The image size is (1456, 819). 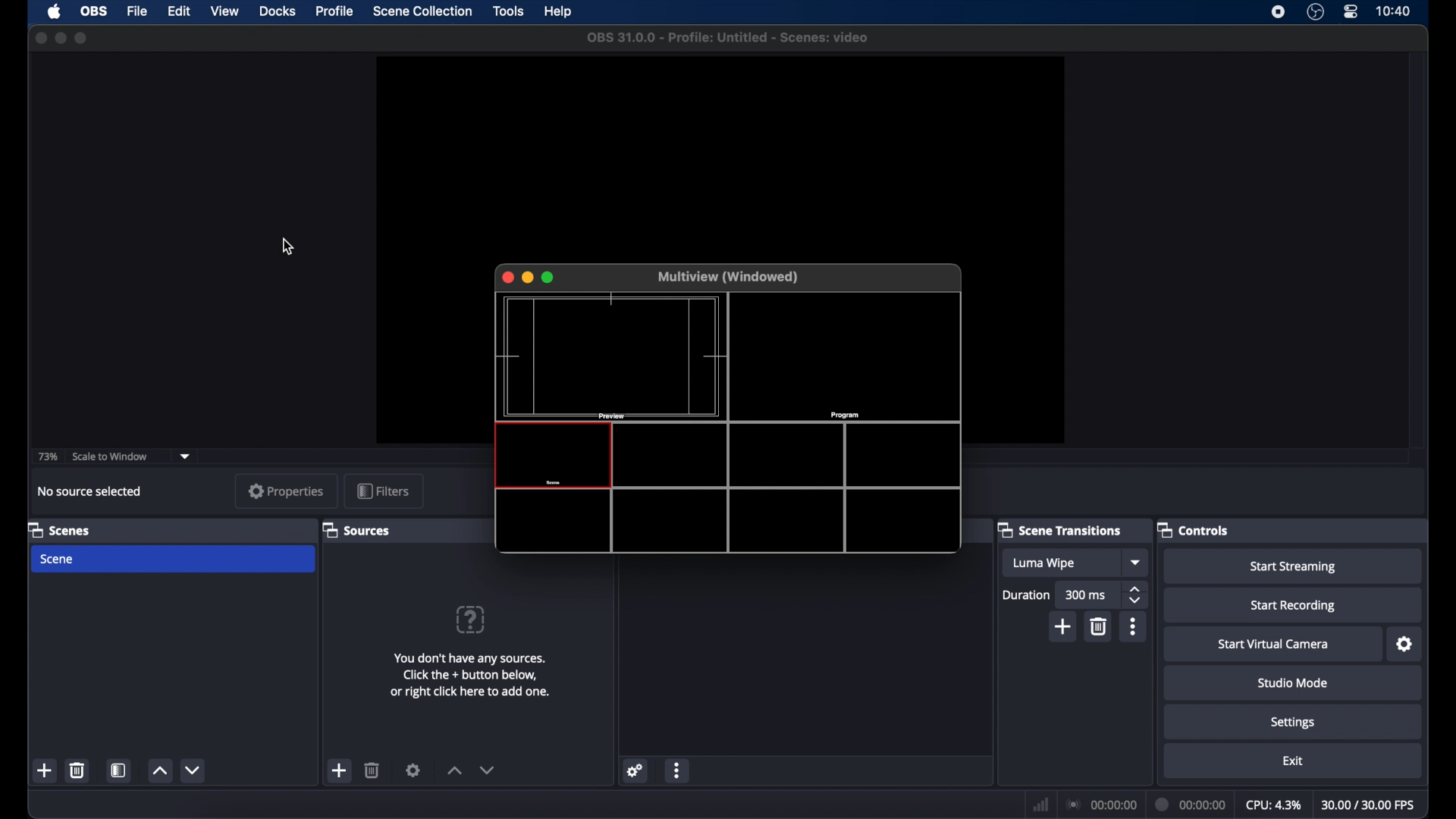 What do you see at coordinates (373, 770) in the screenshot?
I see `delete` at bounding box center [373, 770].